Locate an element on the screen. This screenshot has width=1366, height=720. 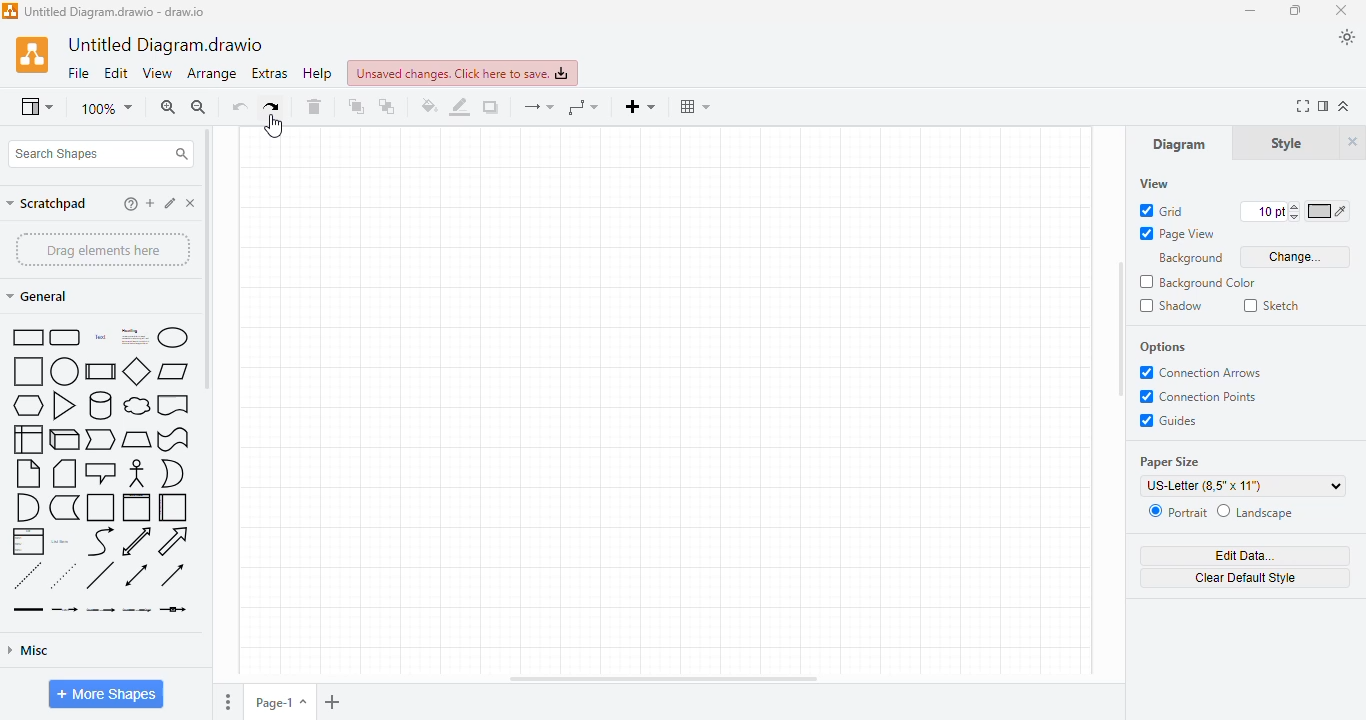
general is located at coordinates (37, 296).